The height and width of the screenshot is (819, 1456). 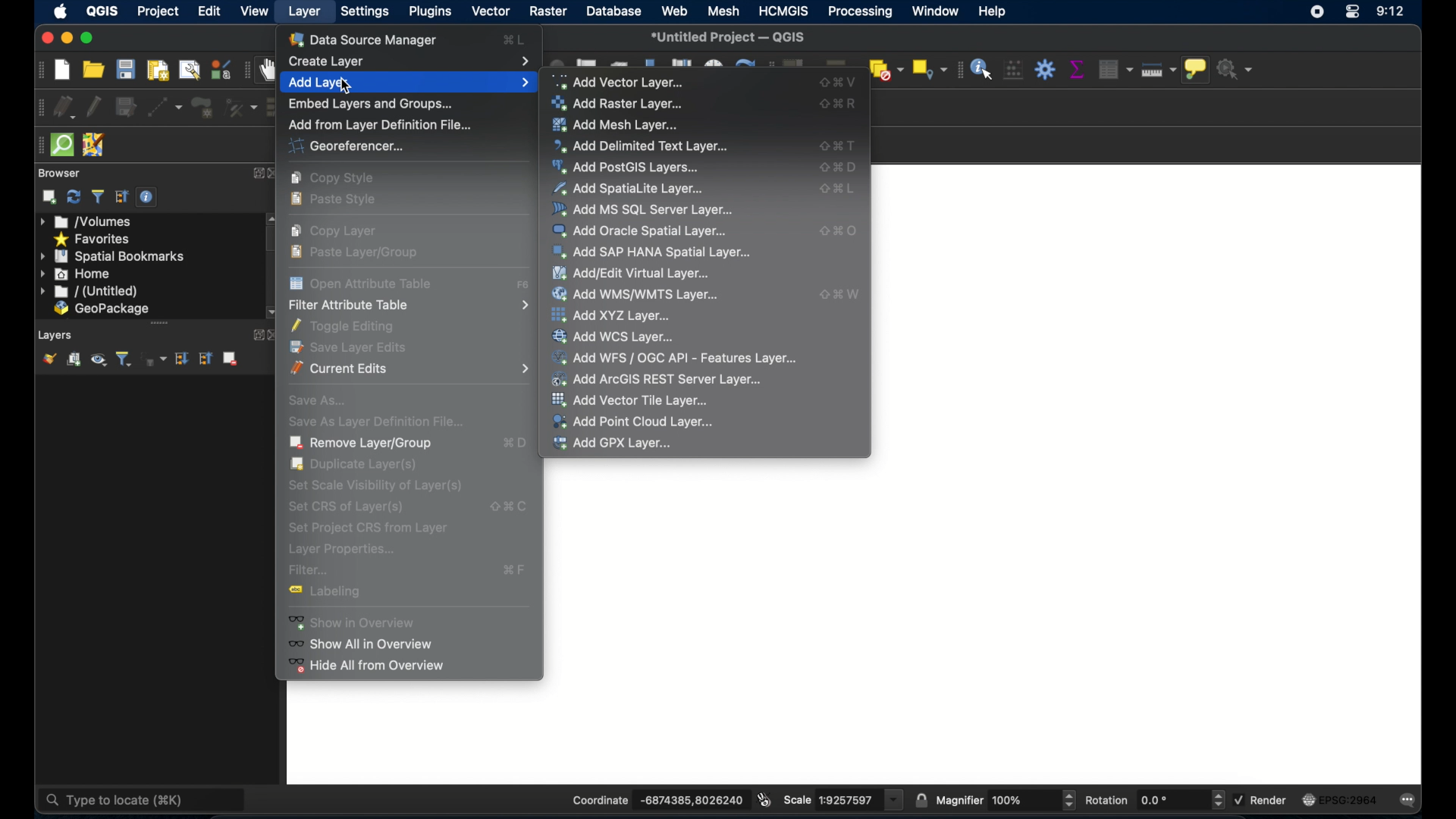 What do you see at coordinates (67, 39) in the screenshot?
I see `minimize` at bounding box center [67, 39].